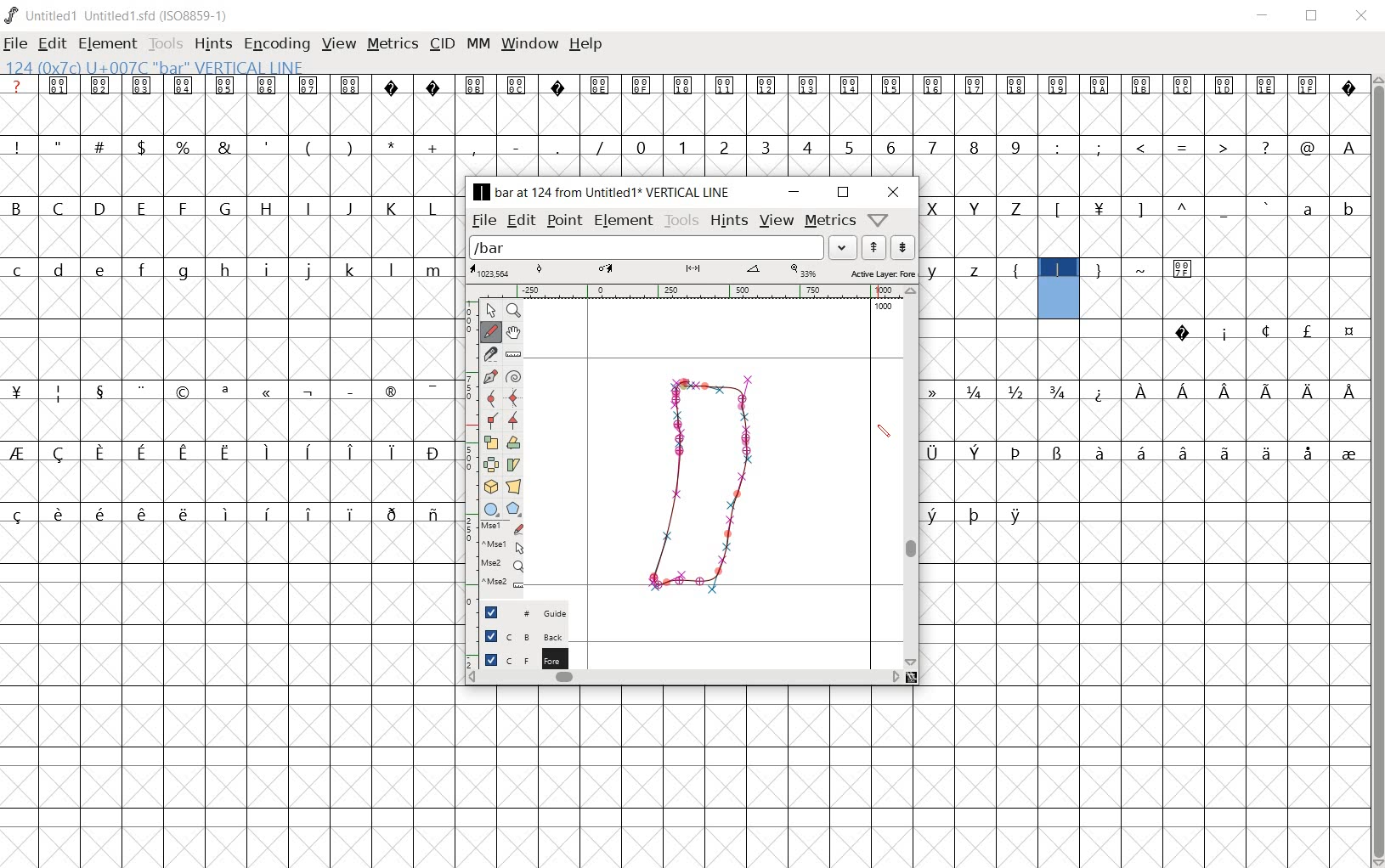 The image size is (1385, 868). Describe the element at coordinates (1142, 177) in the screenshot. I see `empty cells` at that location.